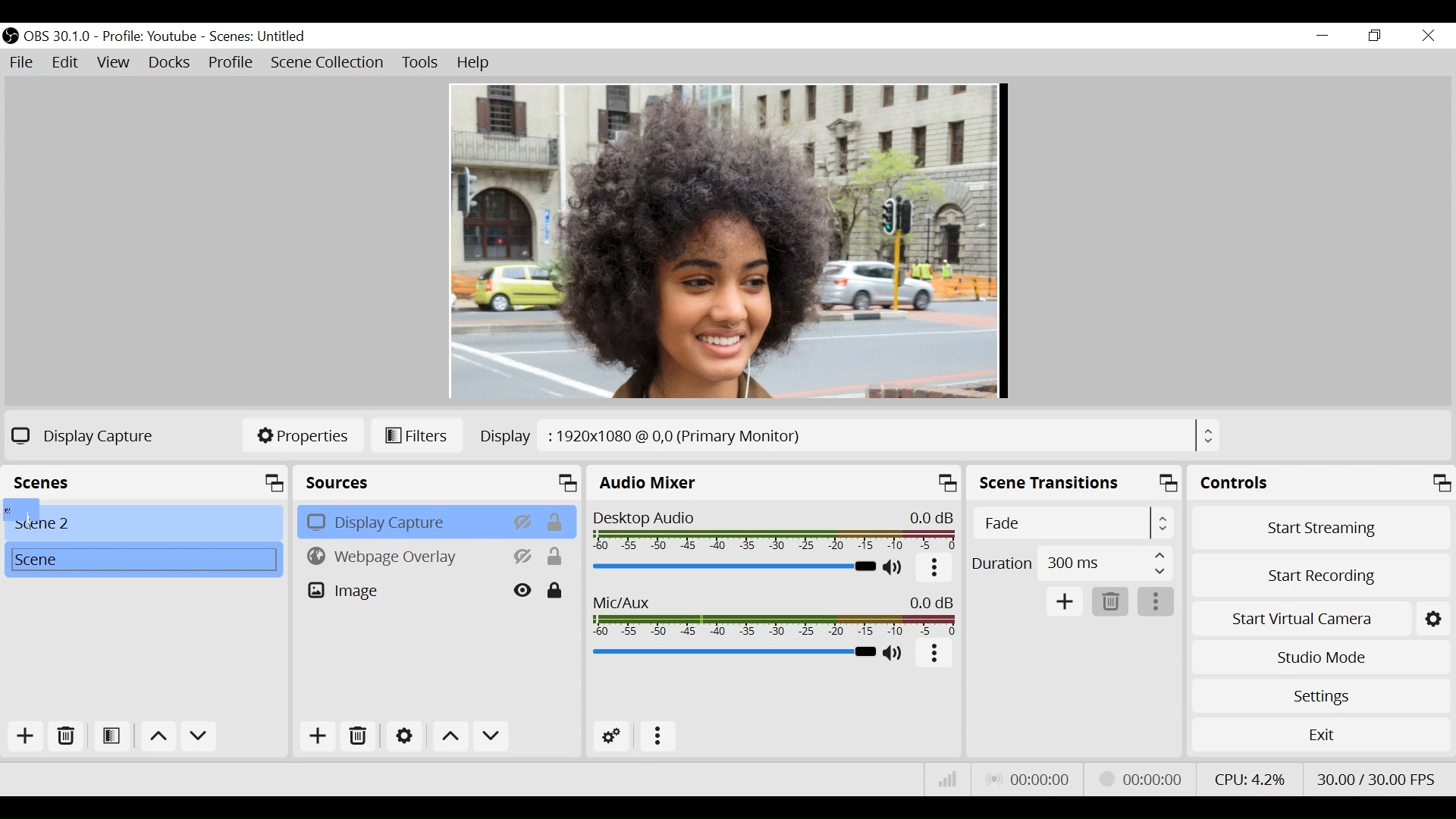  I want to click on Webpage Overlay, so click(402, 555).